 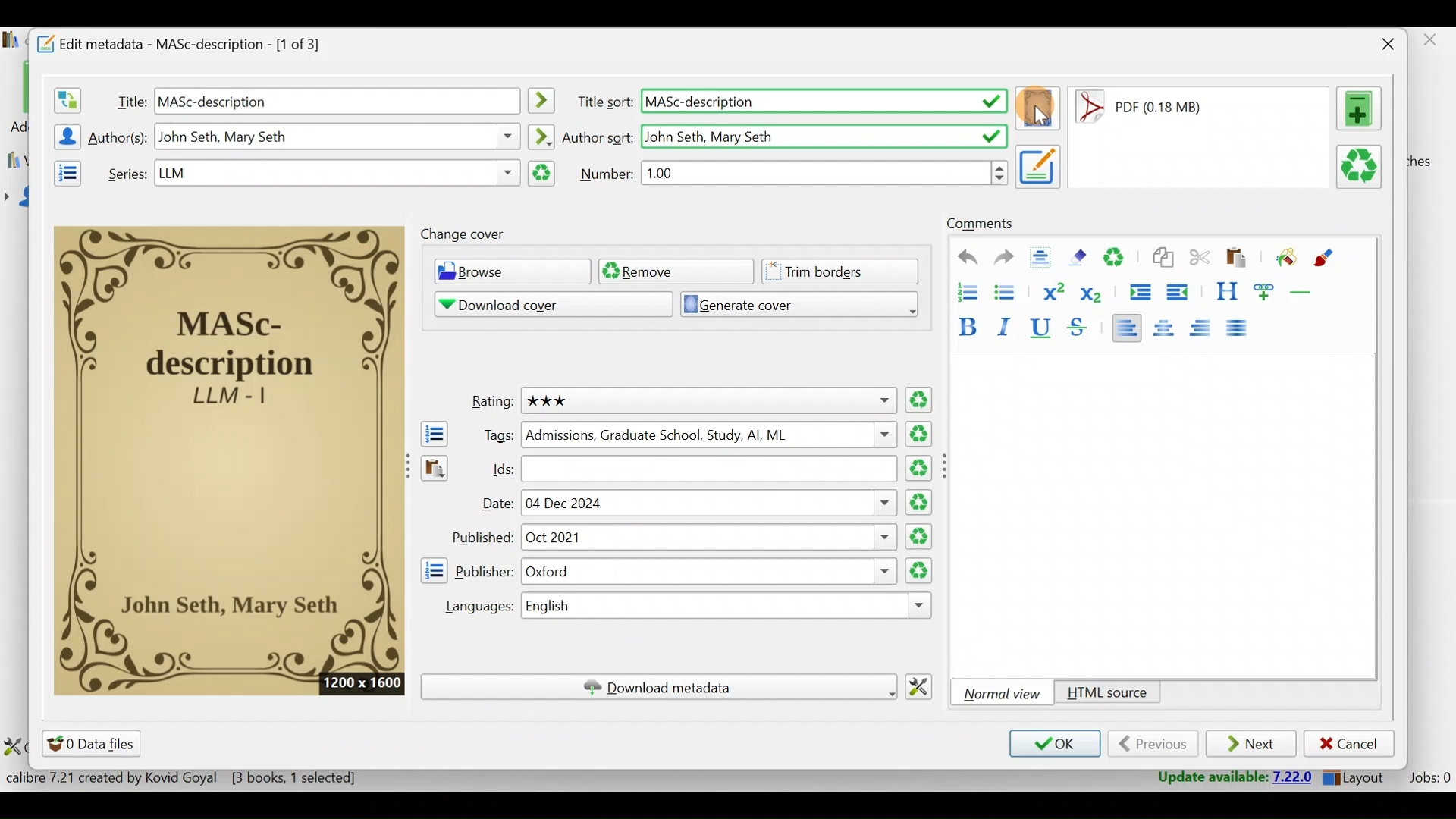 I want to click on Author sort, so click(x=598, y=136).